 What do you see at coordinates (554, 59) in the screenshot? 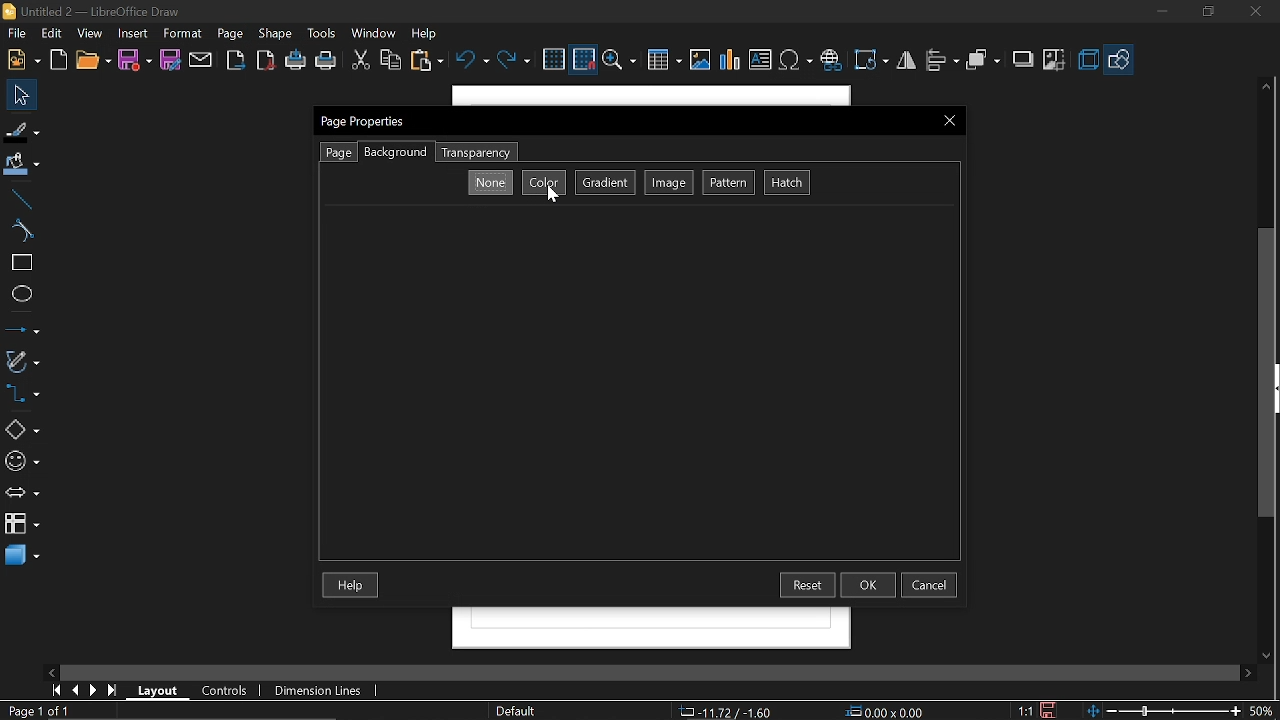
I see `grid` at bounding box center [554, 59].